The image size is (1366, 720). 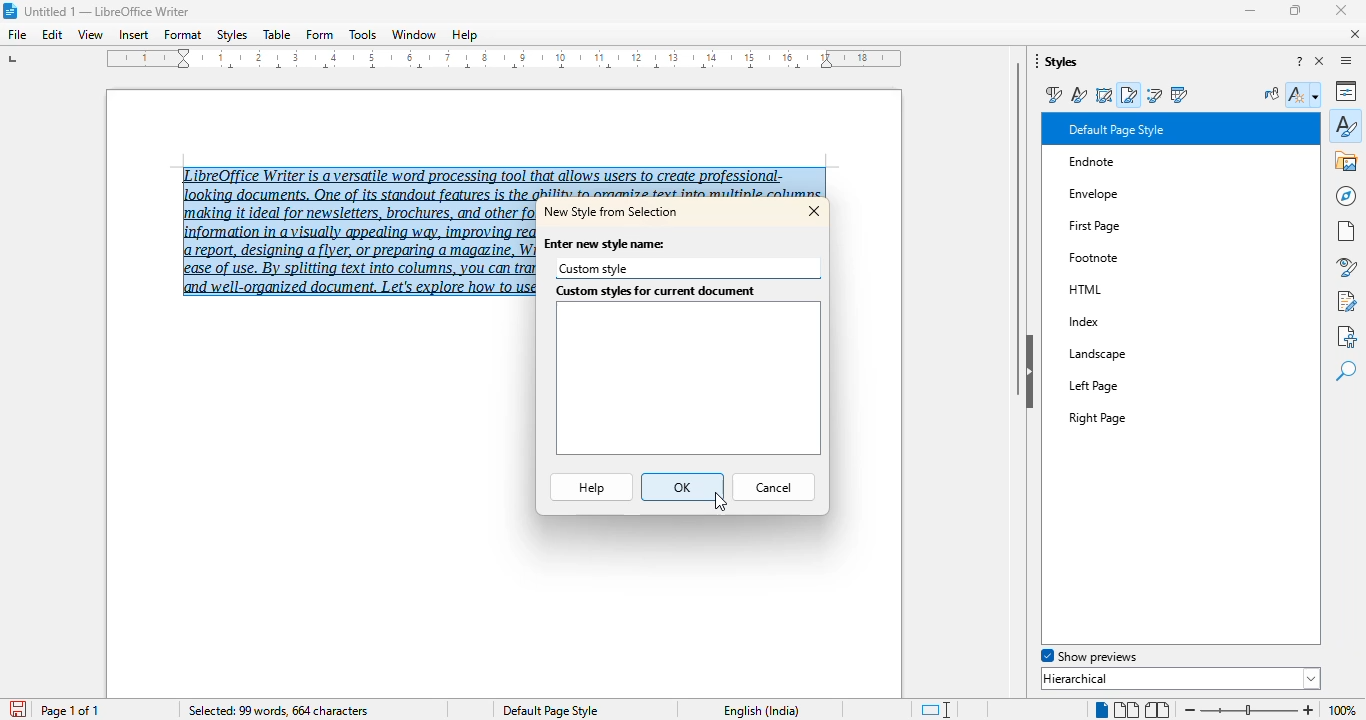 What do you see at coordinates (1346, 336) in the screenshot?
I see `accessibility check` at bounding box center [1346, 336].